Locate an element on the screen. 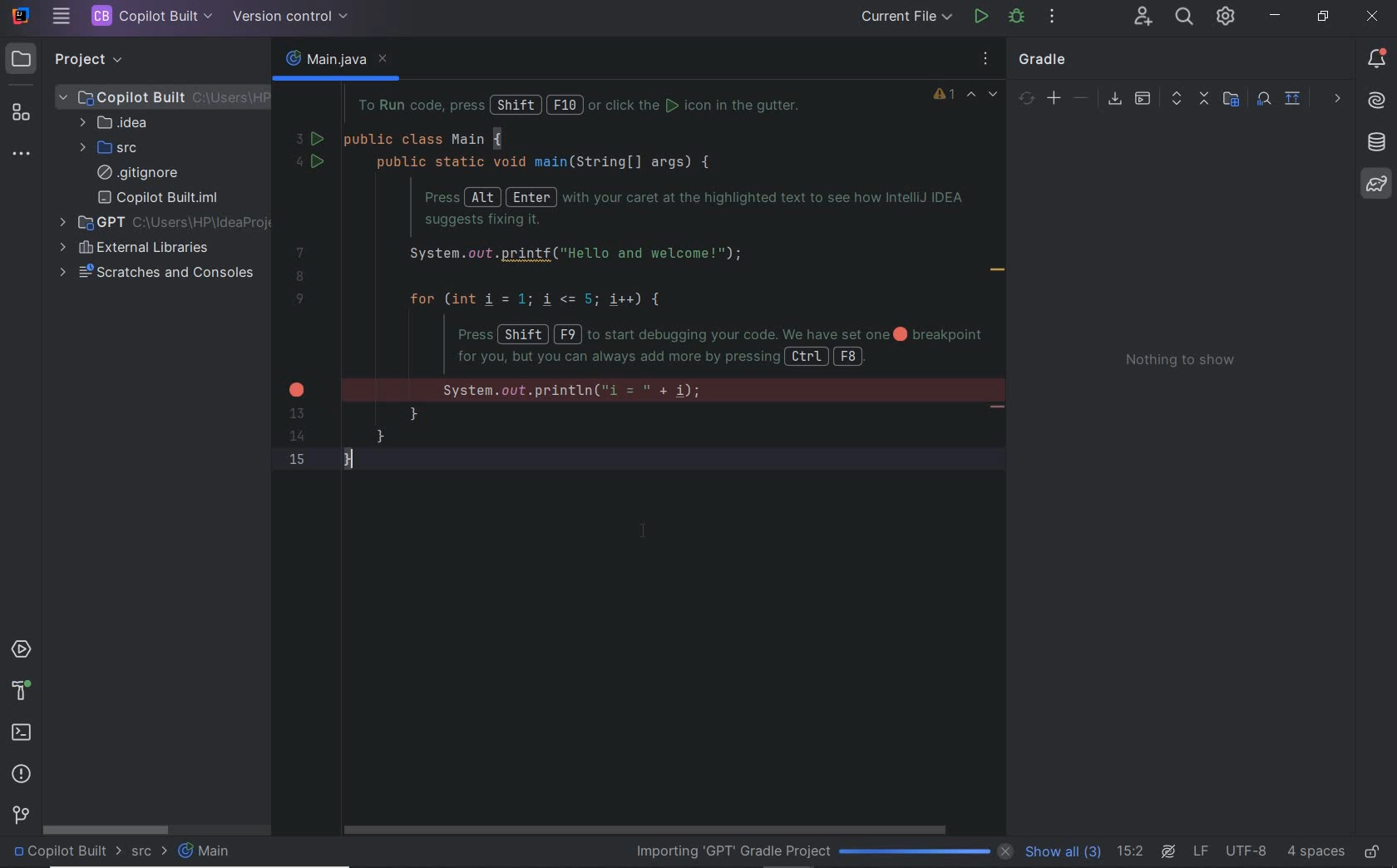 This screenshot has width=1397, height=868. Nothing to show is located at coordinates (1181, 361).